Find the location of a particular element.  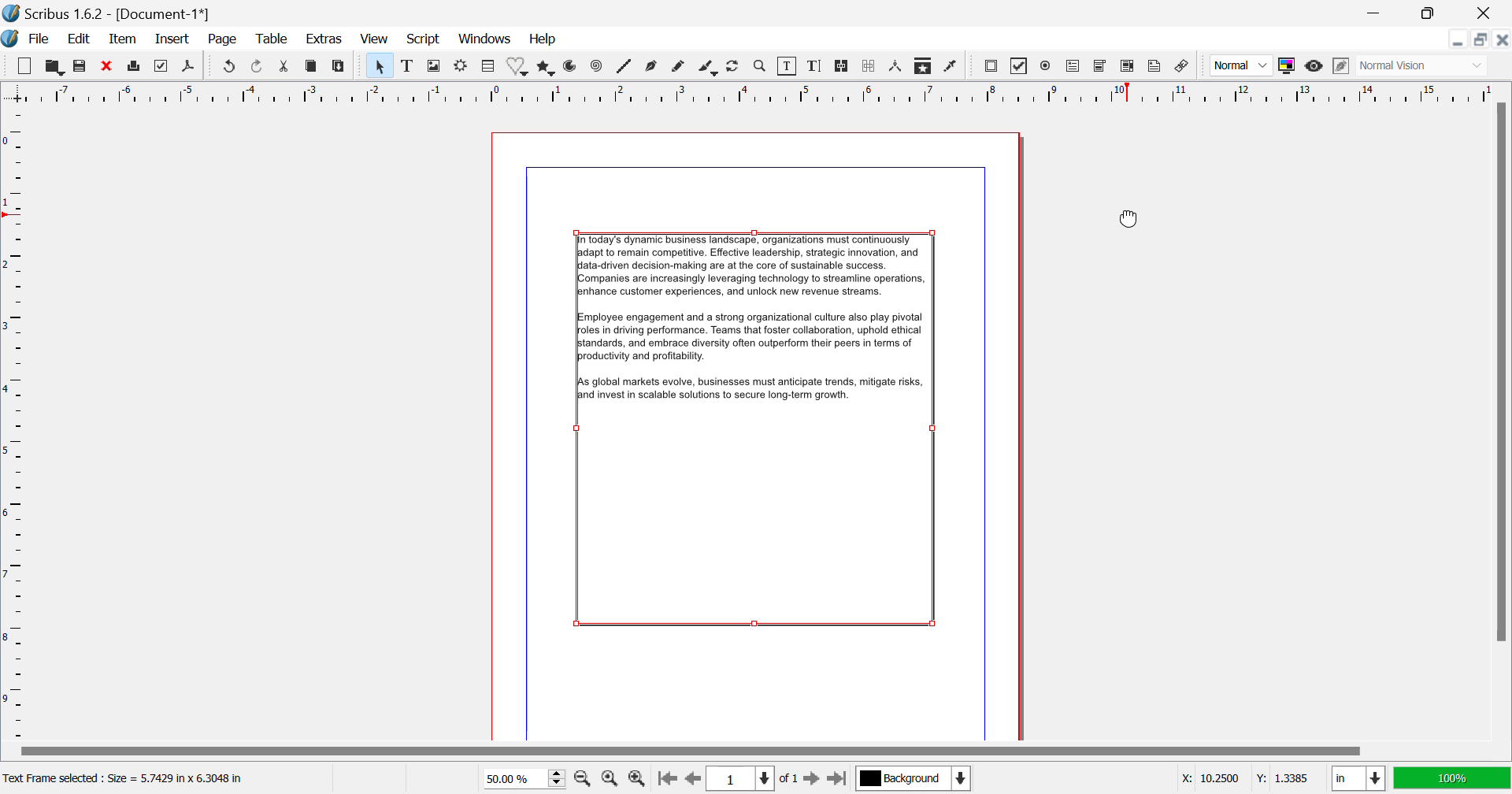

Link Text Frames is located at coordinates (844, 65).